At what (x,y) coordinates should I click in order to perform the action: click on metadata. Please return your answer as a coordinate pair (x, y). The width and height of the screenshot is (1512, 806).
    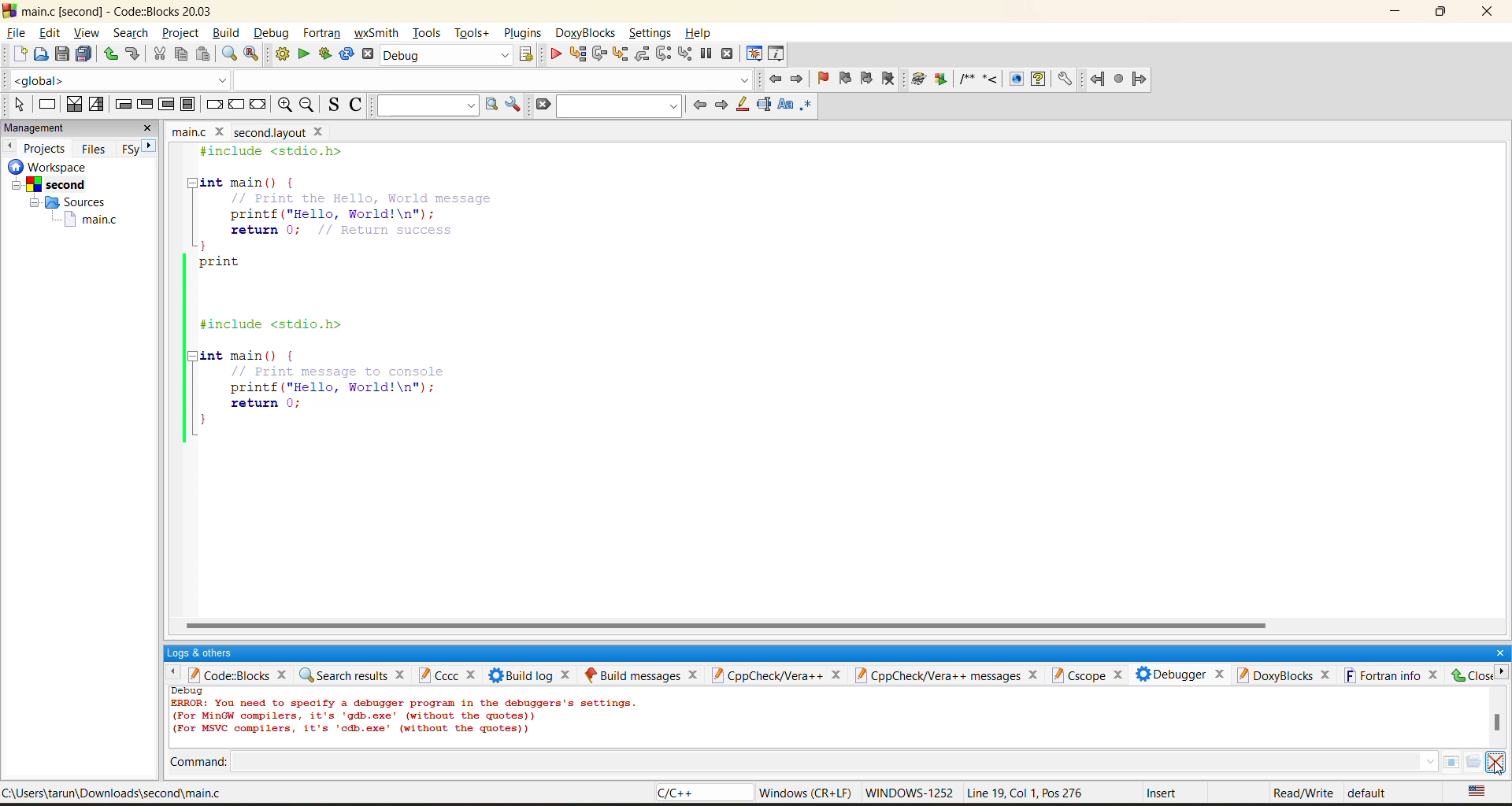
    Looking at the image, I should click on (1080, 794).